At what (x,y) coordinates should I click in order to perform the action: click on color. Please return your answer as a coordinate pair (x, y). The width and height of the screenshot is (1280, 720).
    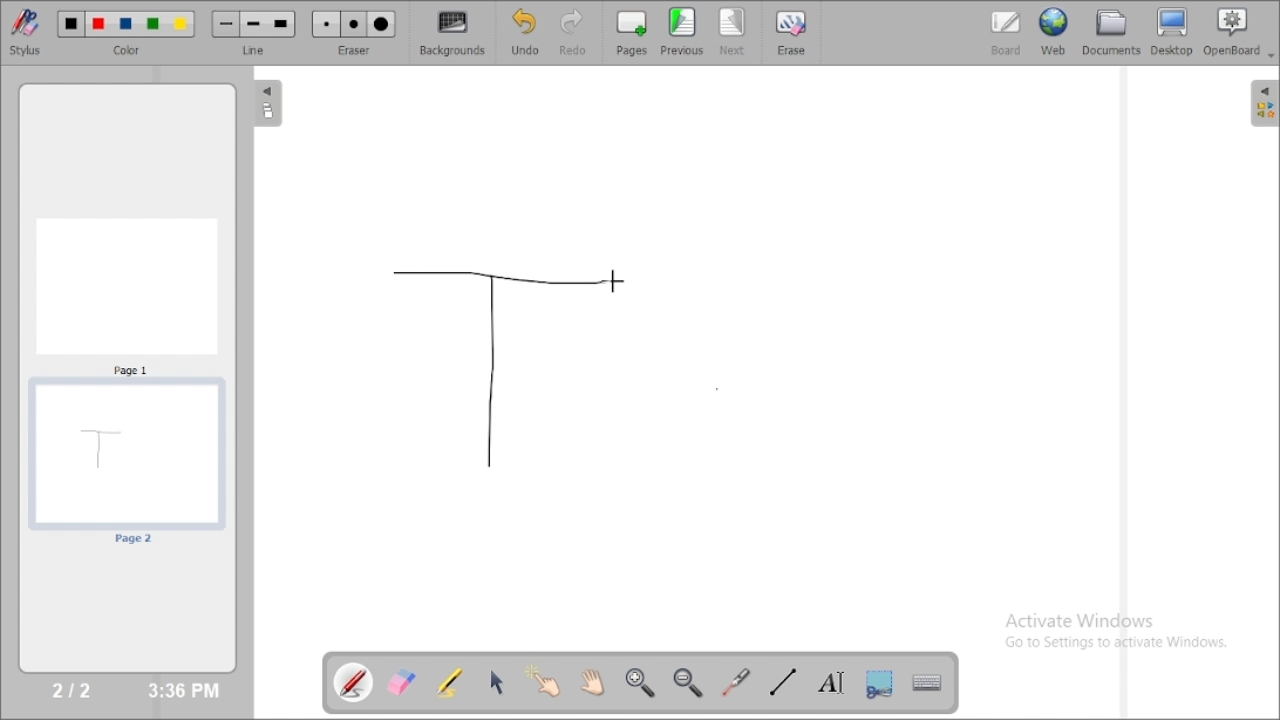
    Looking at the image, I should click on (130, 51).